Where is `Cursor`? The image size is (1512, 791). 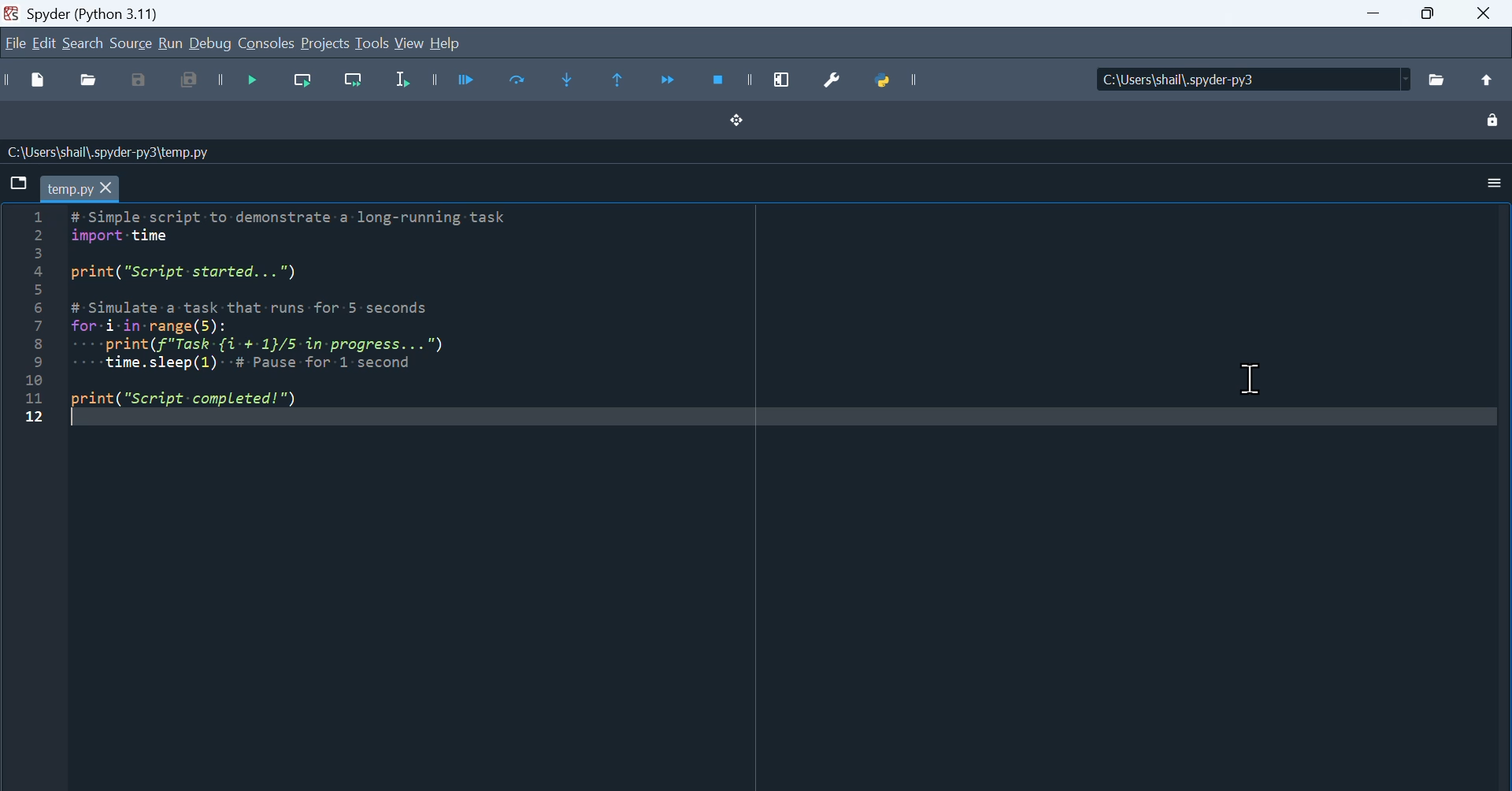
Cursor is located at coordinates (1253, 377).